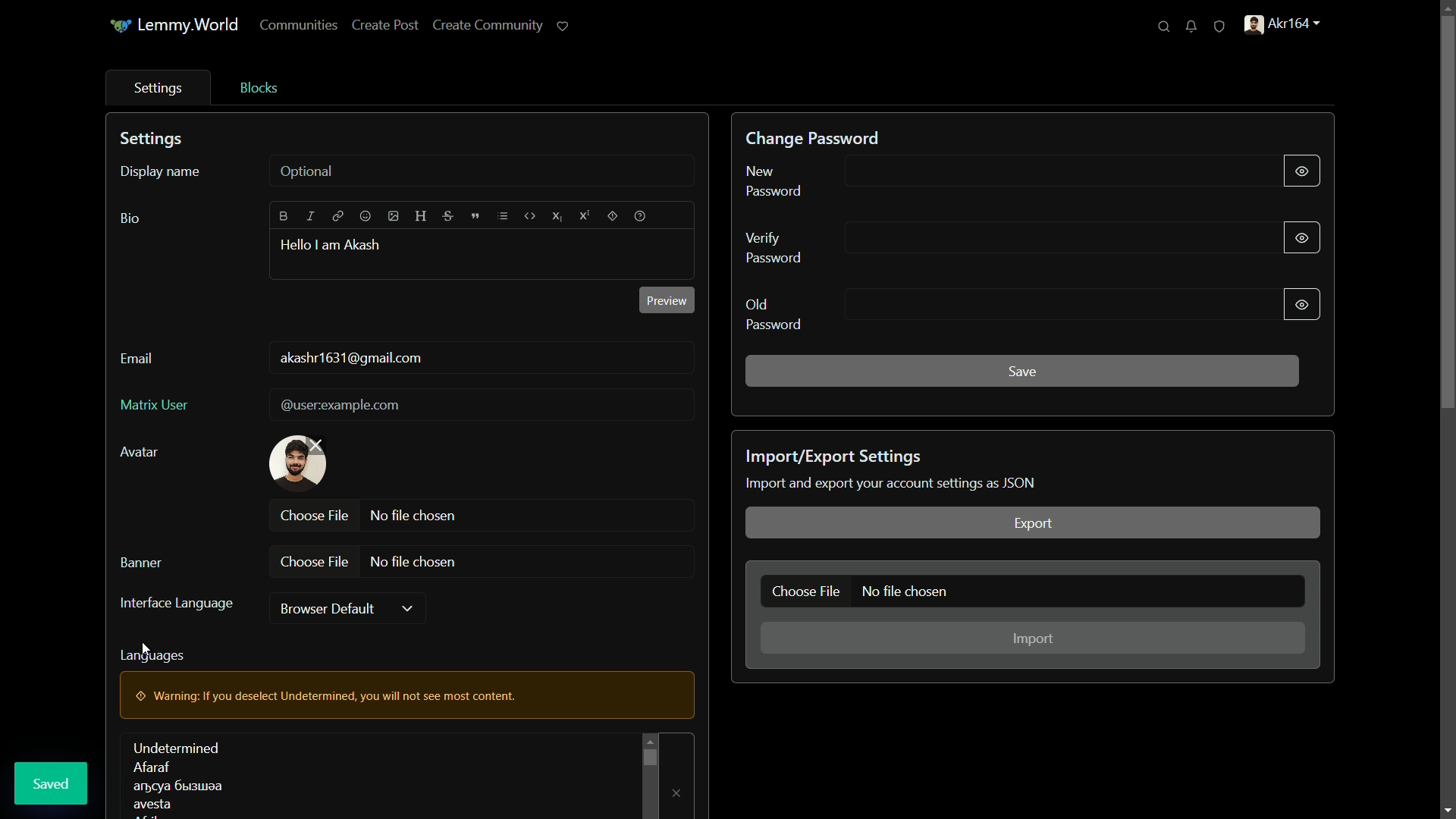 This screenshot has width=1456, height=819. What do you see at coordinates (1219, 26) in the screenshot?
I see `unread reports` at bounding box center [1219, 26].